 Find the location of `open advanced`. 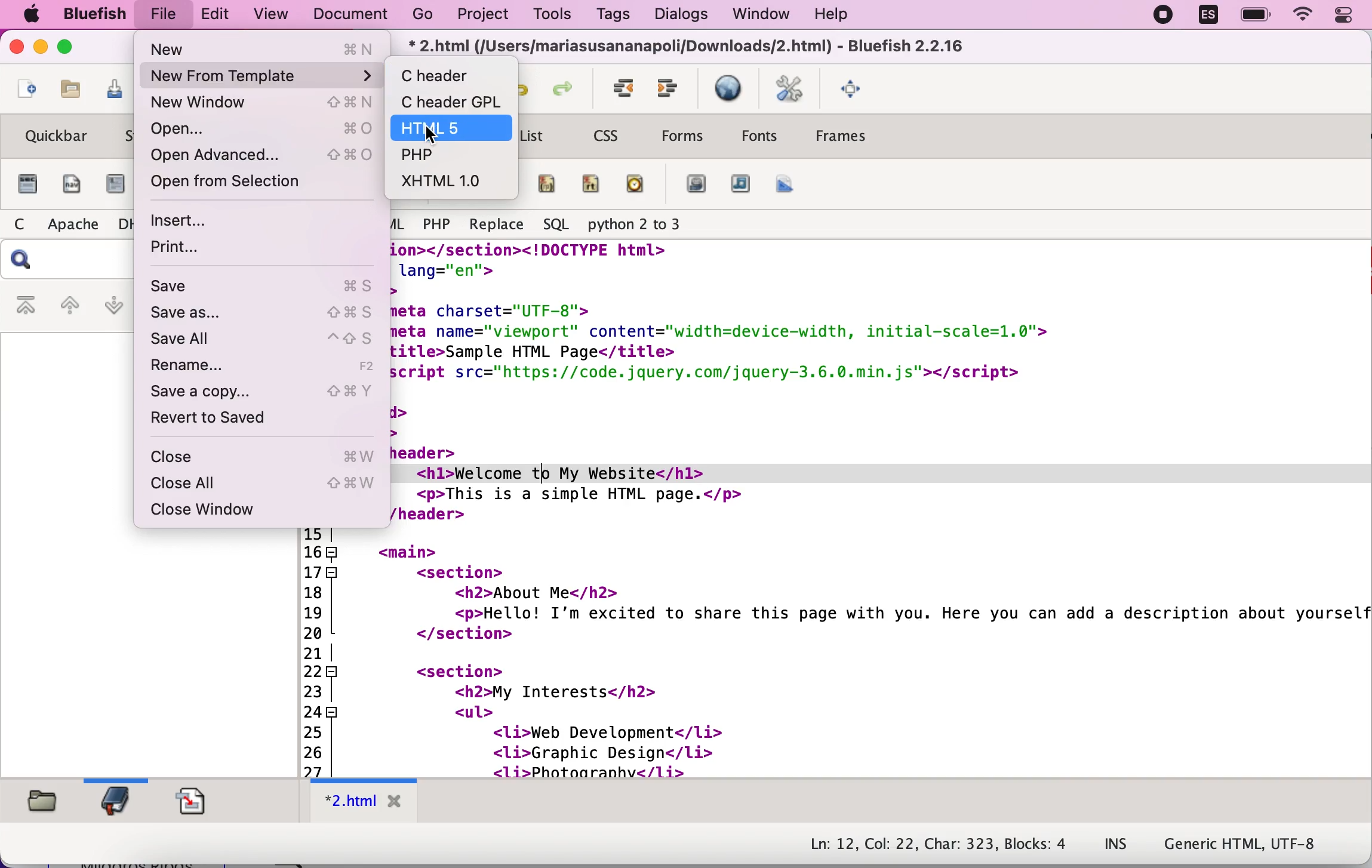

open advanced is located at coordinates (262, 158).